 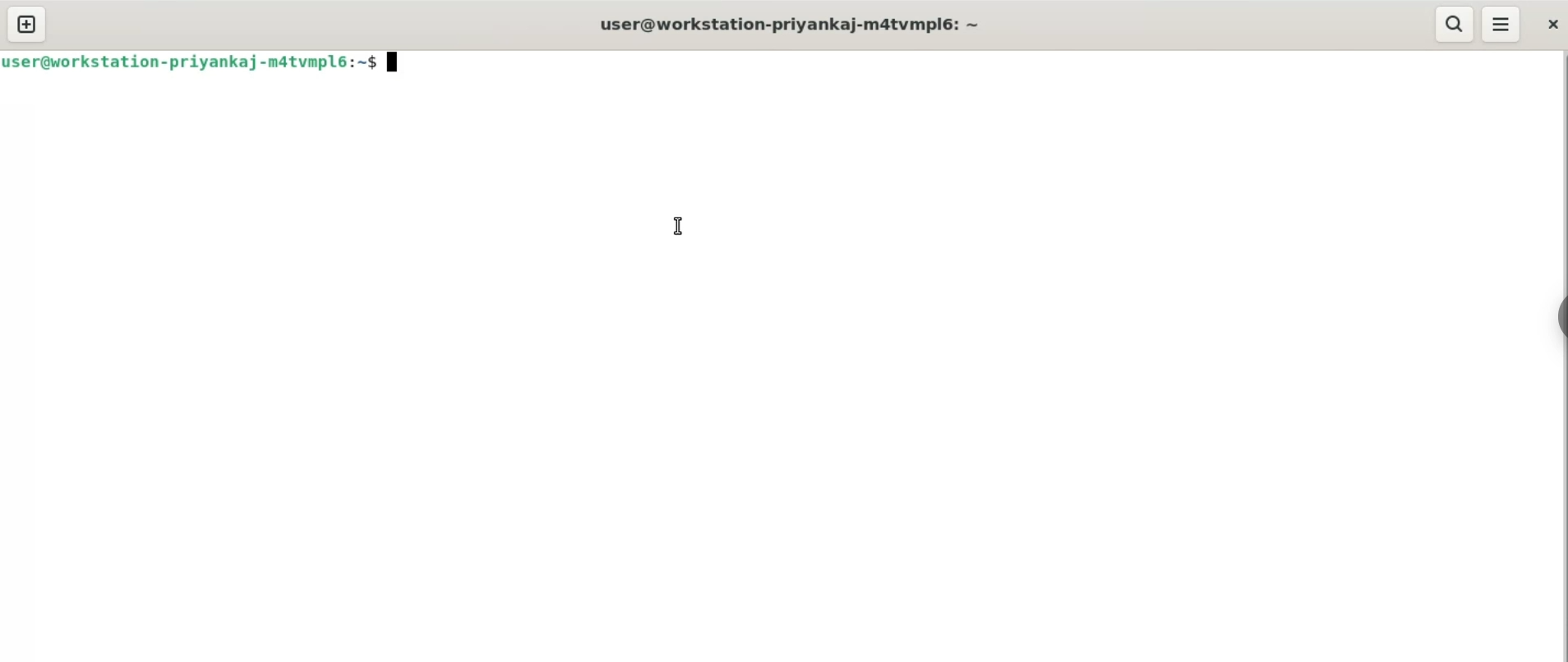 What do you see at coordinates (791, 23) in the screenshot?
I see `user@workstation-priyankaj-m4tvmpl6:-` at bounding box center [791, 23].